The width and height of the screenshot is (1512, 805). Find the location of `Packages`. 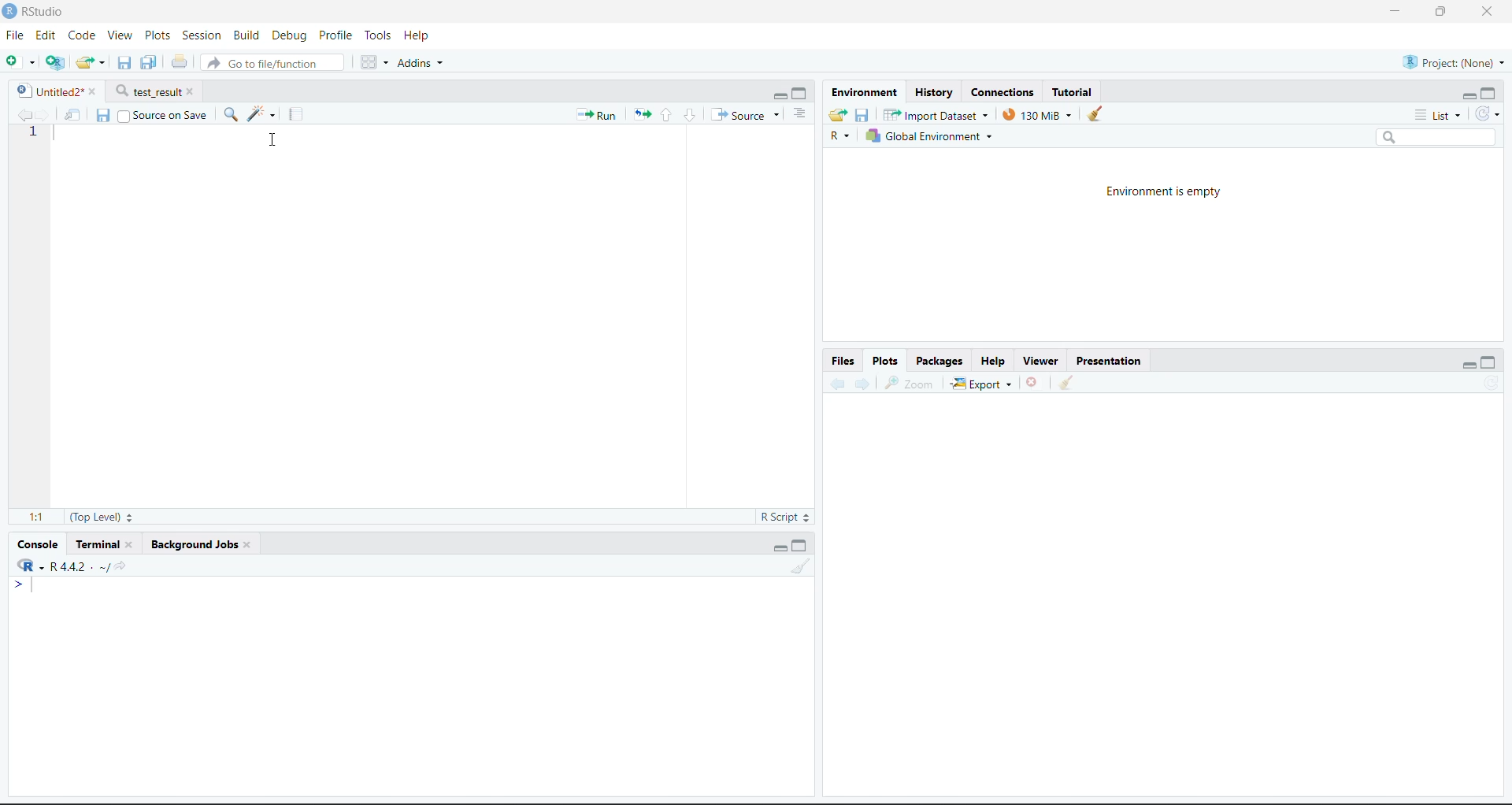

Packages is located at coordinates (939, 358).